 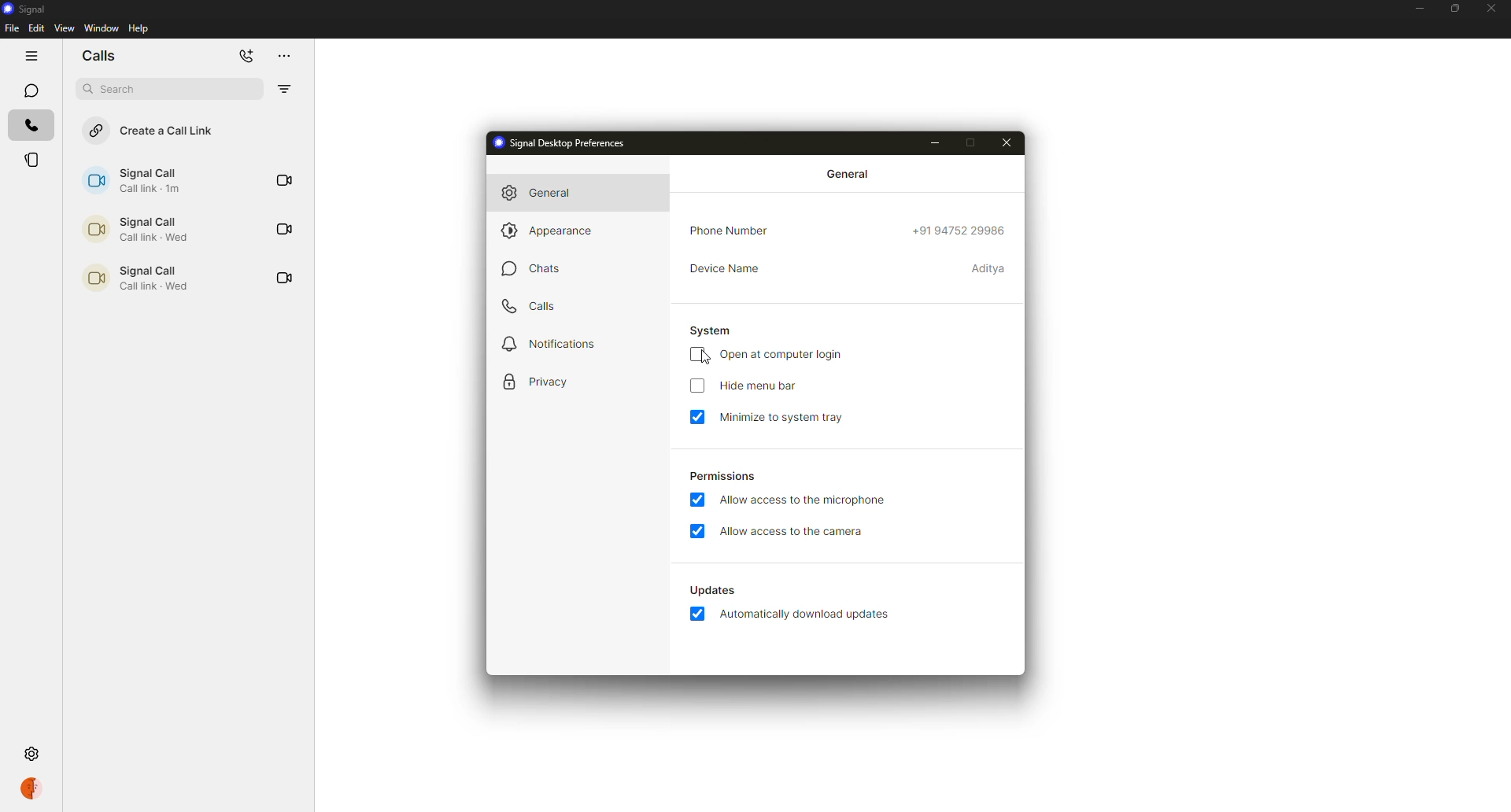 I want to click on notifications, so click(x=546, y=343).